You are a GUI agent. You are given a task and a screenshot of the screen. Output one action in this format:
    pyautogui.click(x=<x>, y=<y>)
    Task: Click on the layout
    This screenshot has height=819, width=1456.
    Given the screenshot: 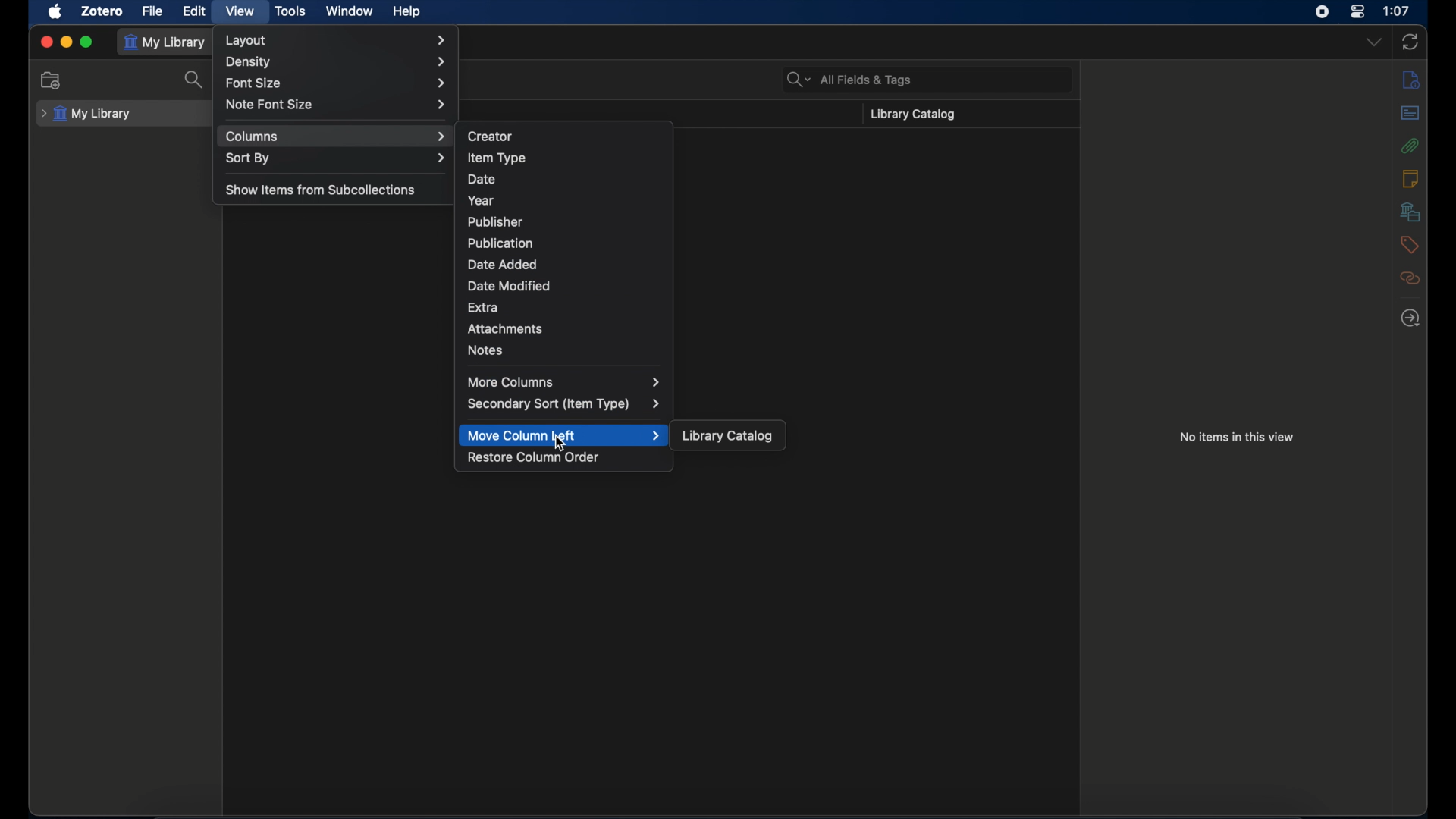 What is the action you would take?
    pyautogui.click(x=334, y=41)
    